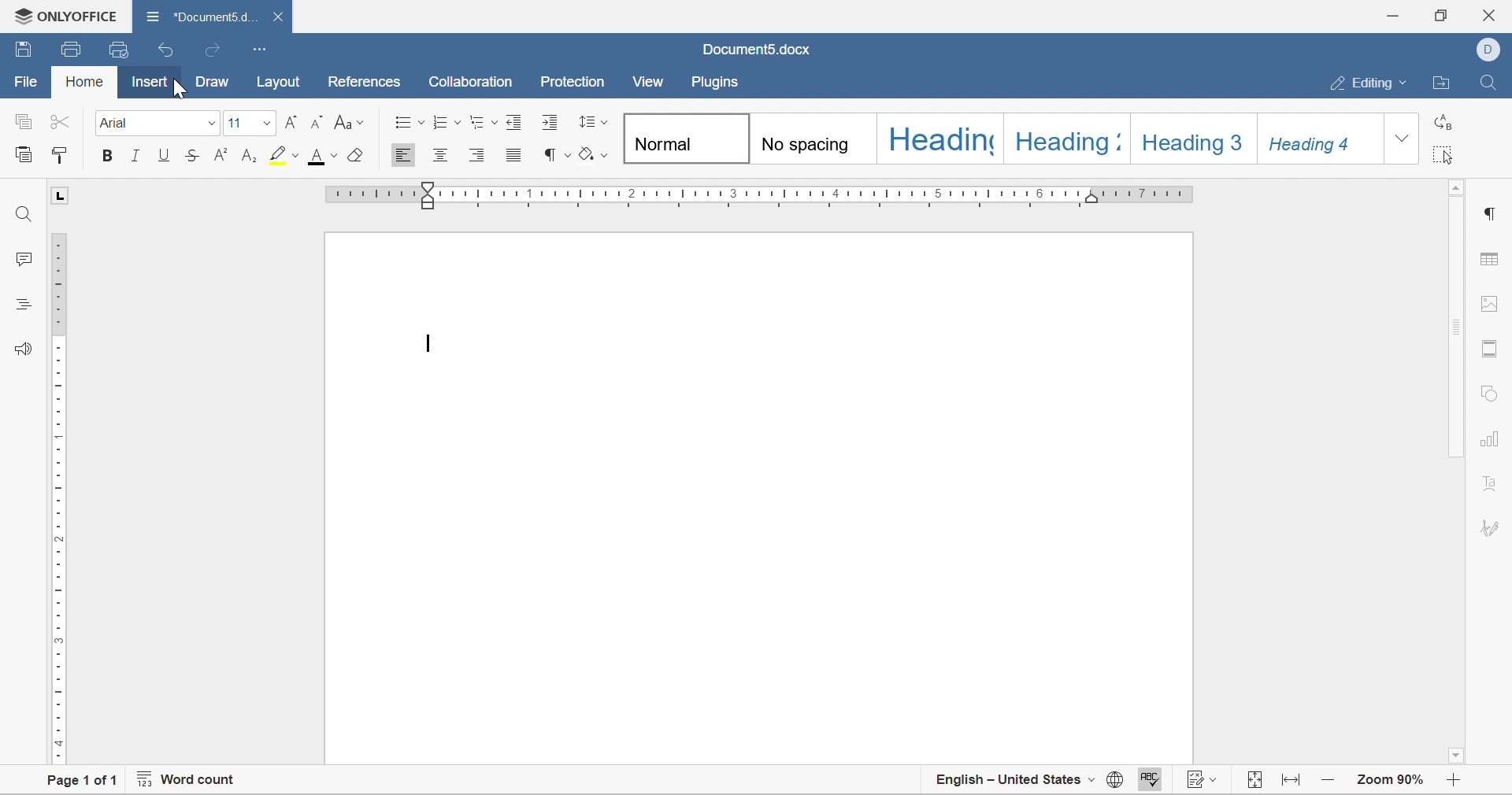 This screenshot has width=1512, height=795. What do you see at coordinates (471, 82) in the screenshot?
I see `collaboration` at bounding box center [471, 82].